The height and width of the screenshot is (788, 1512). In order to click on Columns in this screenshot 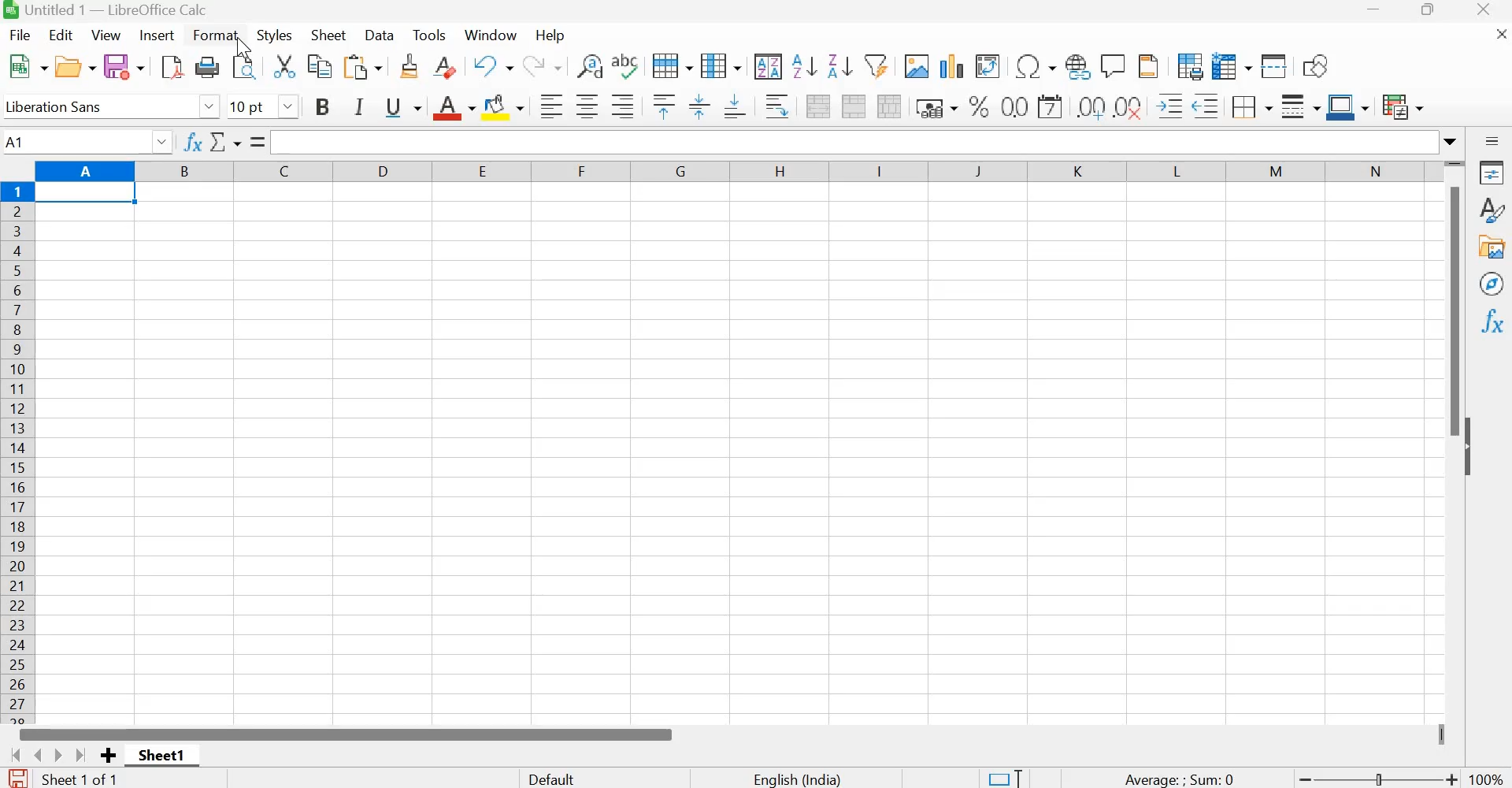, I will do `click(19, 452)`.